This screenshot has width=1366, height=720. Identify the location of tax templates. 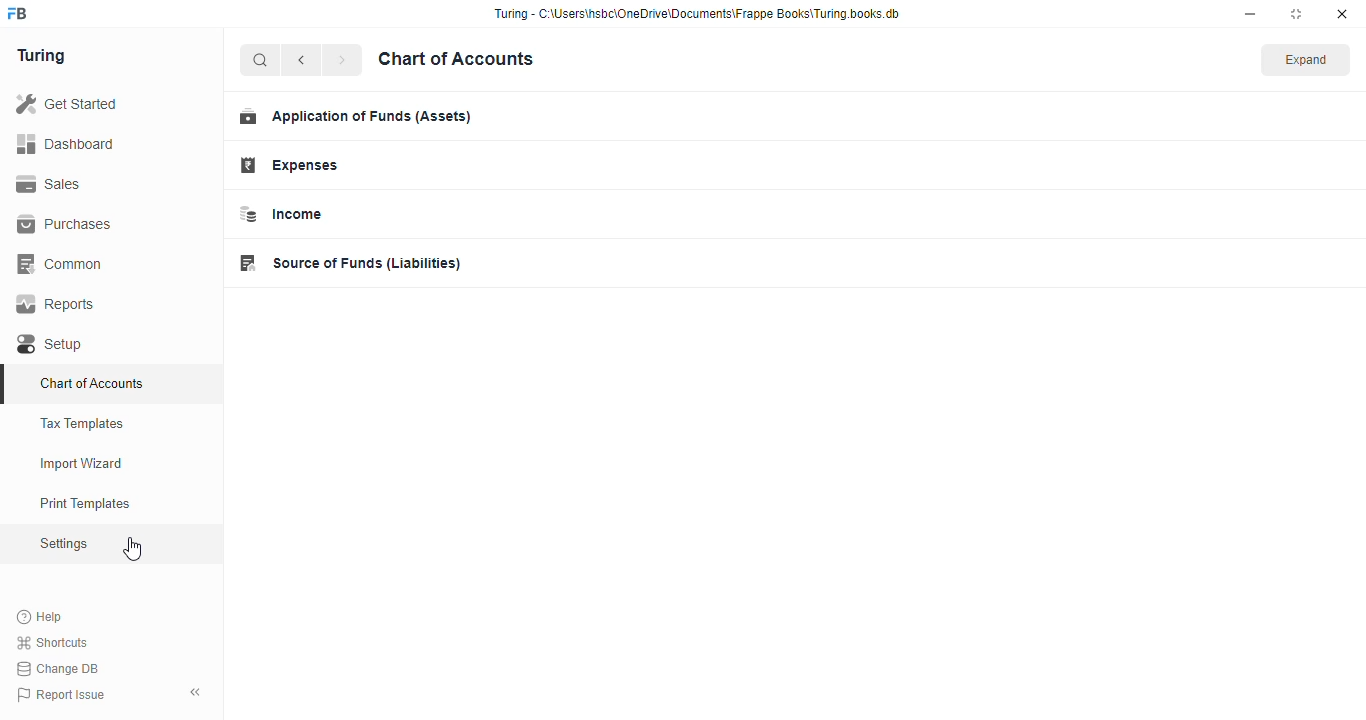
(81, 423).